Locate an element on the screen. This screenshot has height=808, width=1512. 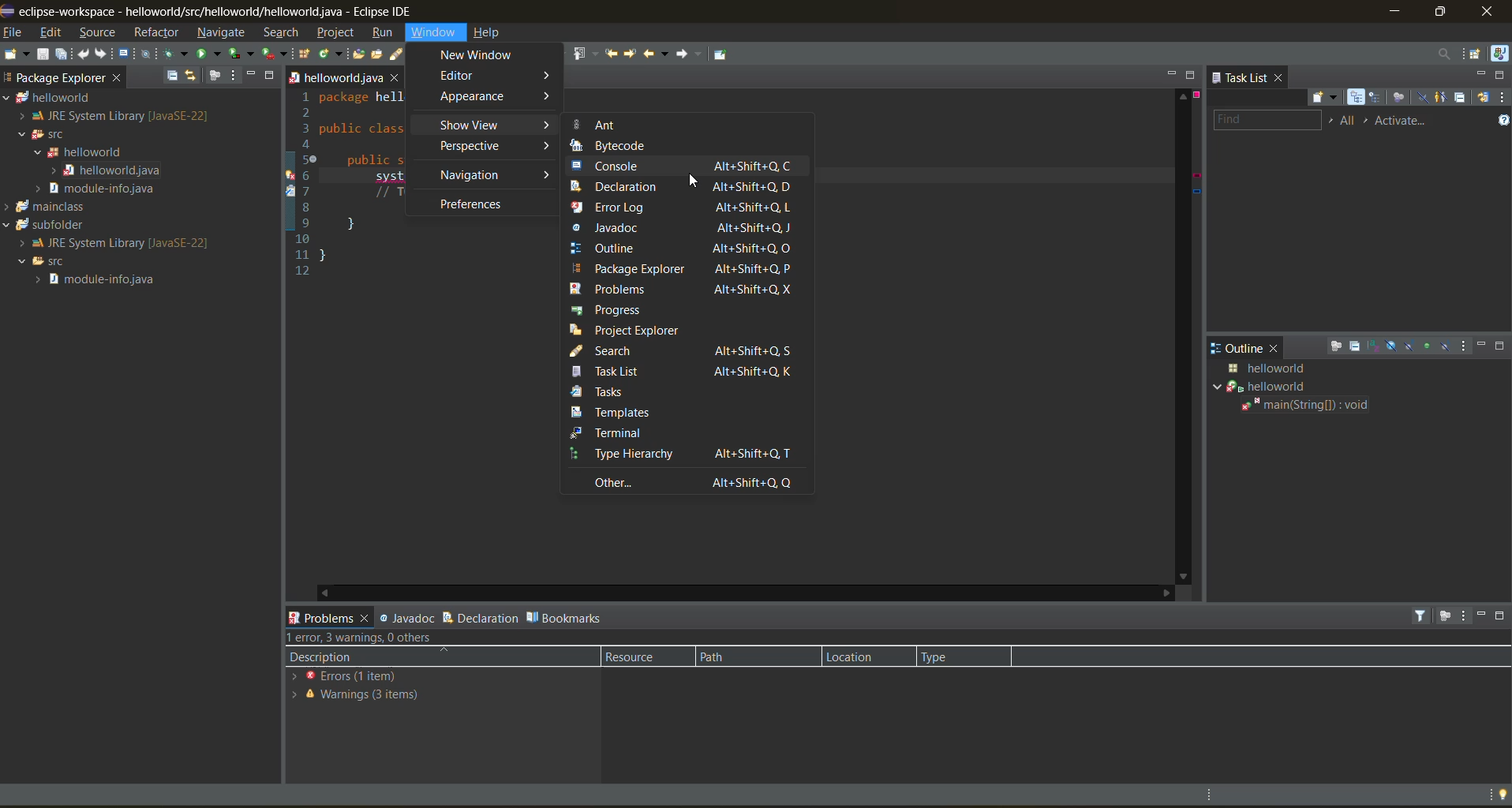
coverage is located at coordinates (241, 55).